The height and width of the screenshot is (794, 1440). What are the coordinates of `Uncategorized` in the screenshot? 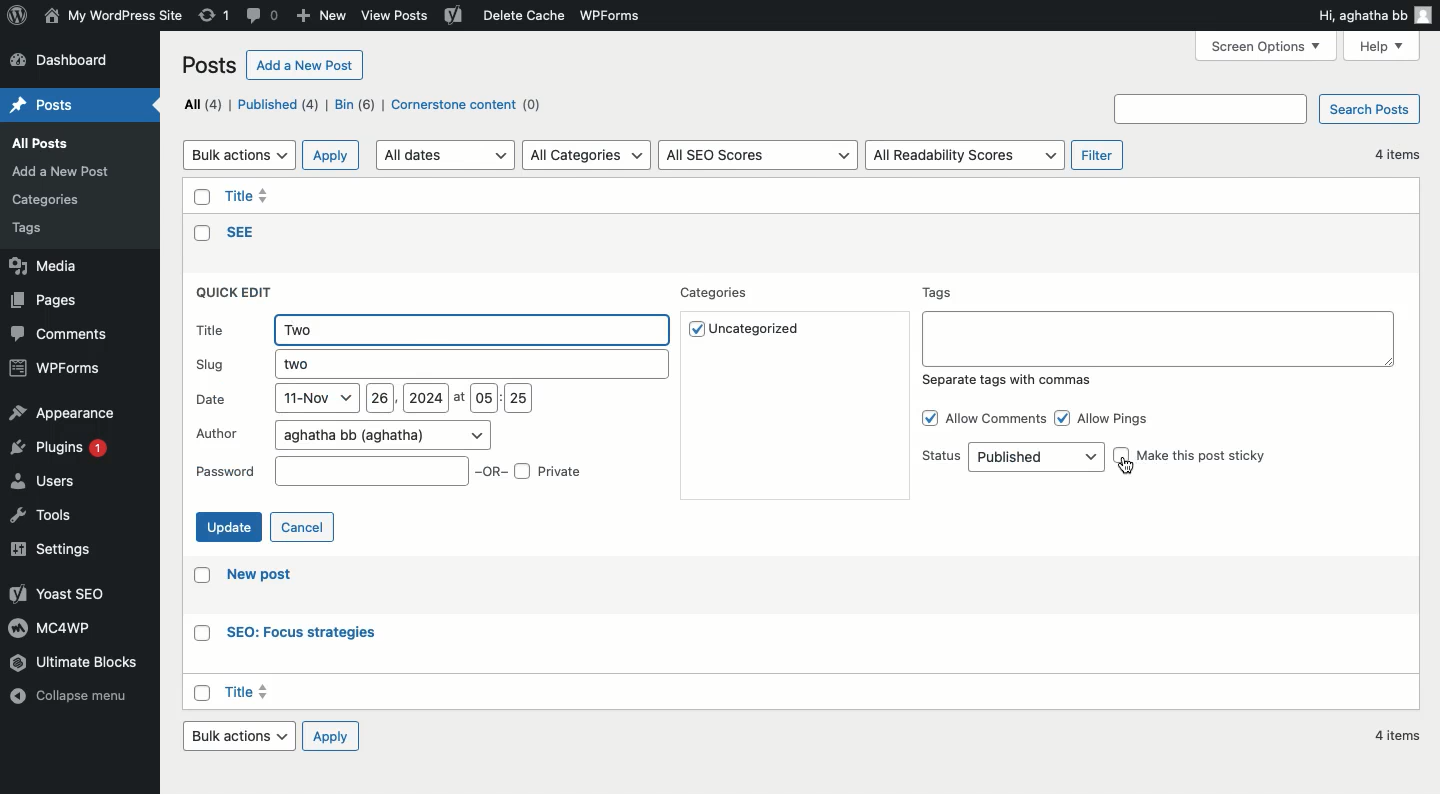 It's located at (758, 332).